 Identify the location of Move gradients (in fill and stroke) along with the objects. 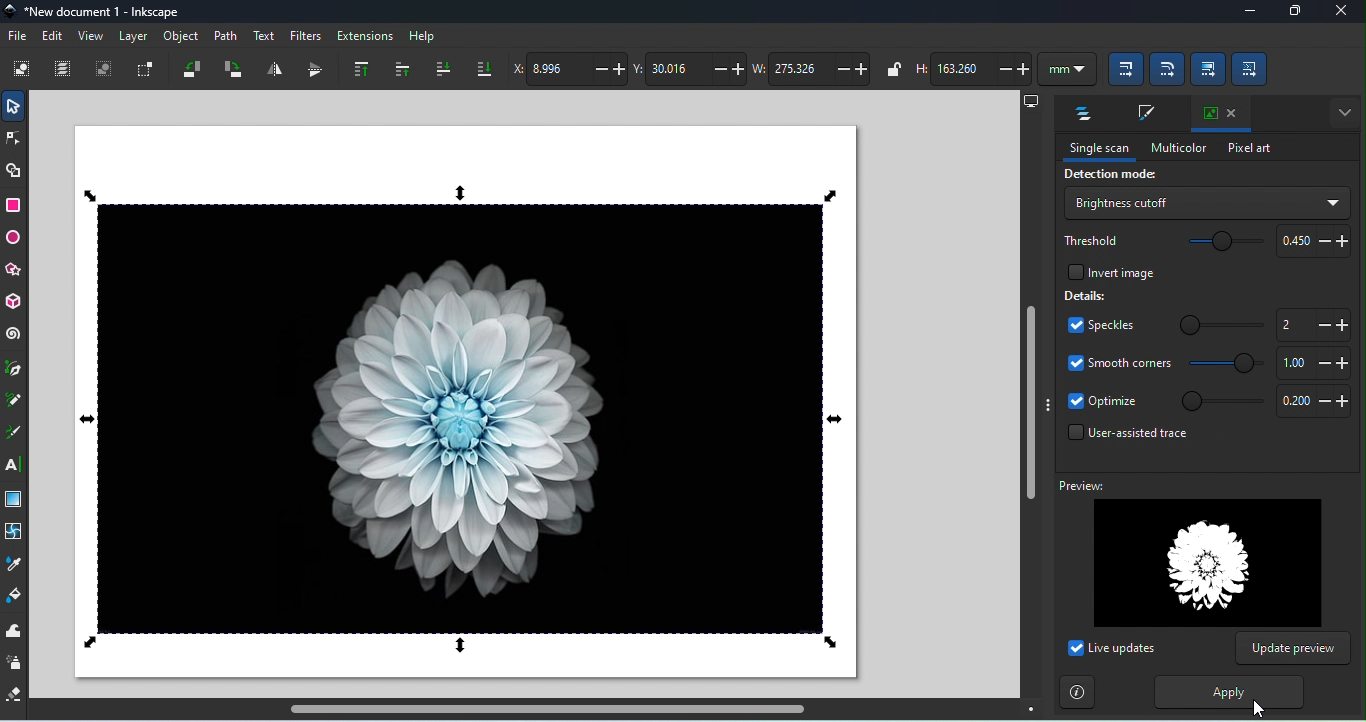
(1206, 67).